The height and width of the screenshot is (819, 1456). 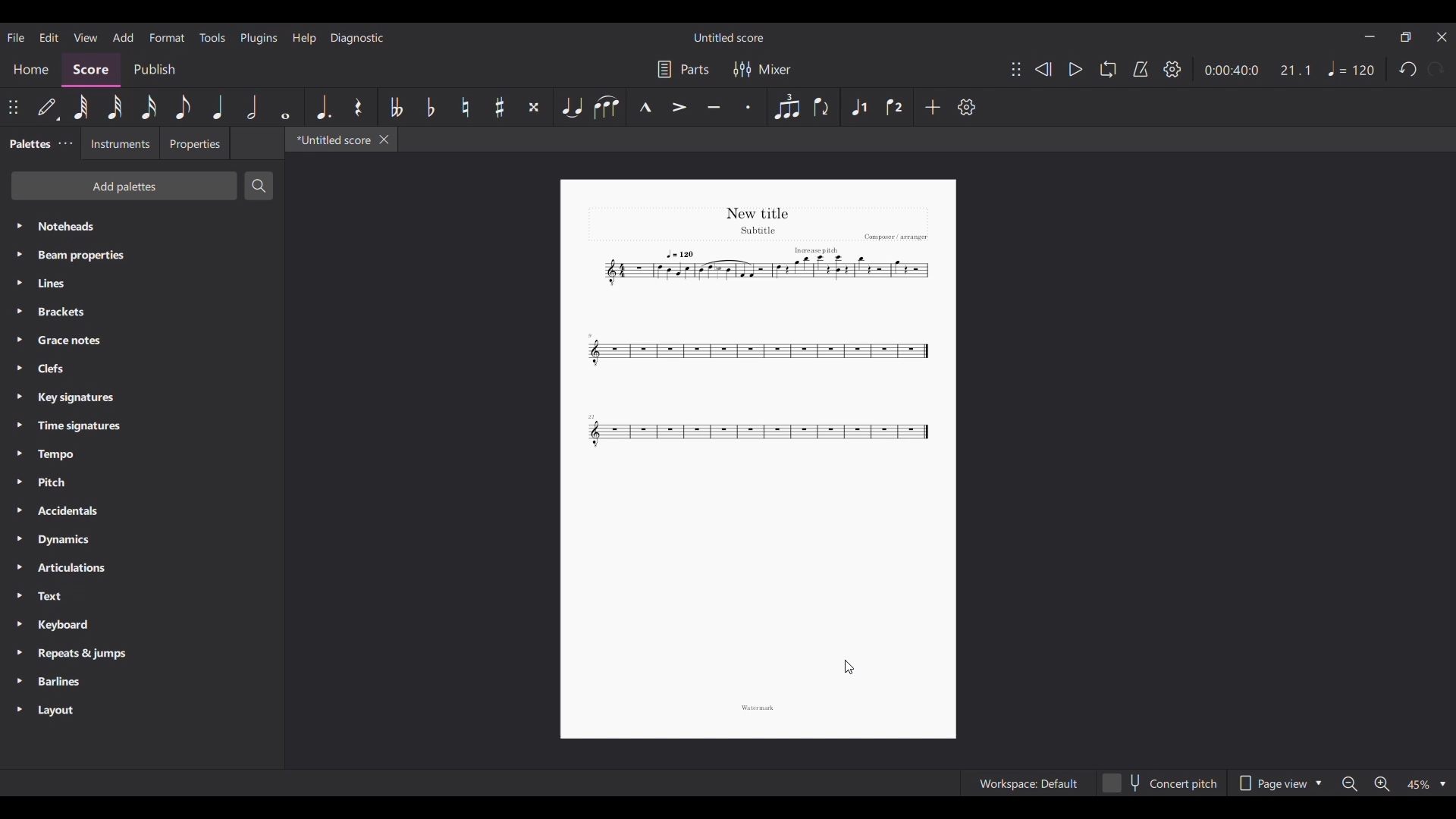 What do you see at coordinates (143, 654) in the screenshot?
I see `Repeats & jumps` at bounding box center [143, 654].